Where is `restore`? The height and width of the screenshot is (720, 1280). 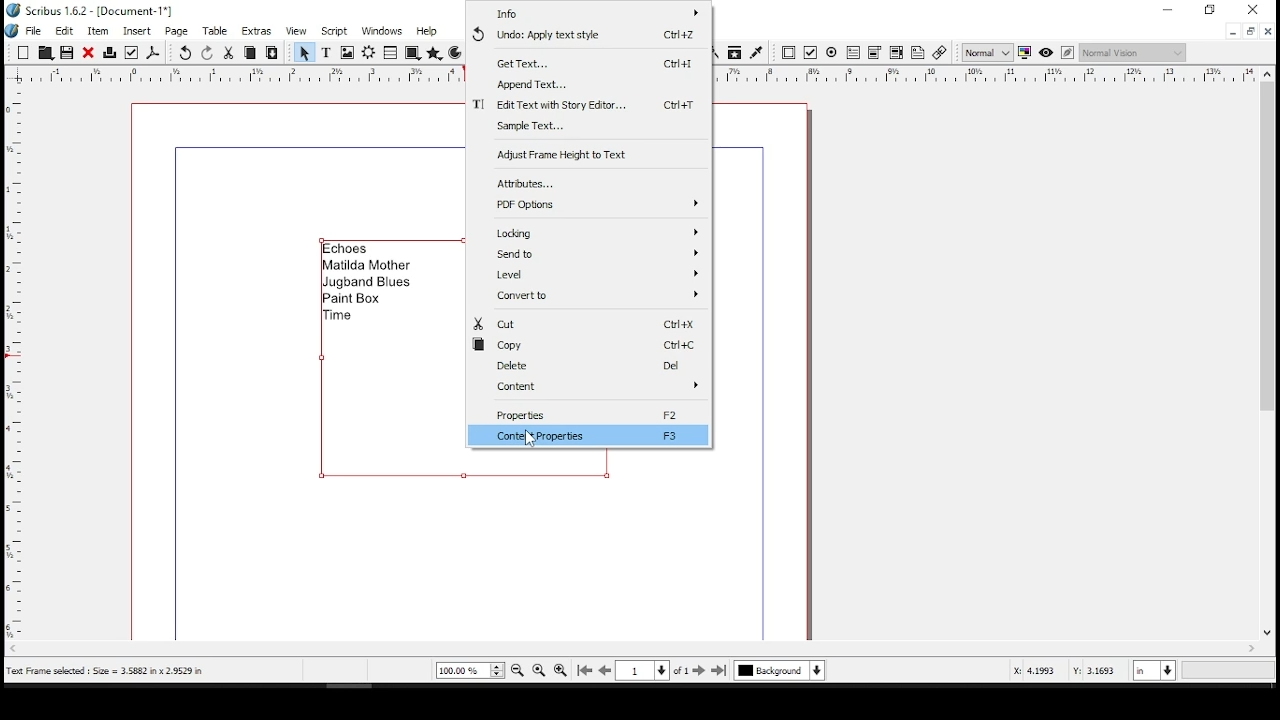 restore is located at coordinates (1211, 10).